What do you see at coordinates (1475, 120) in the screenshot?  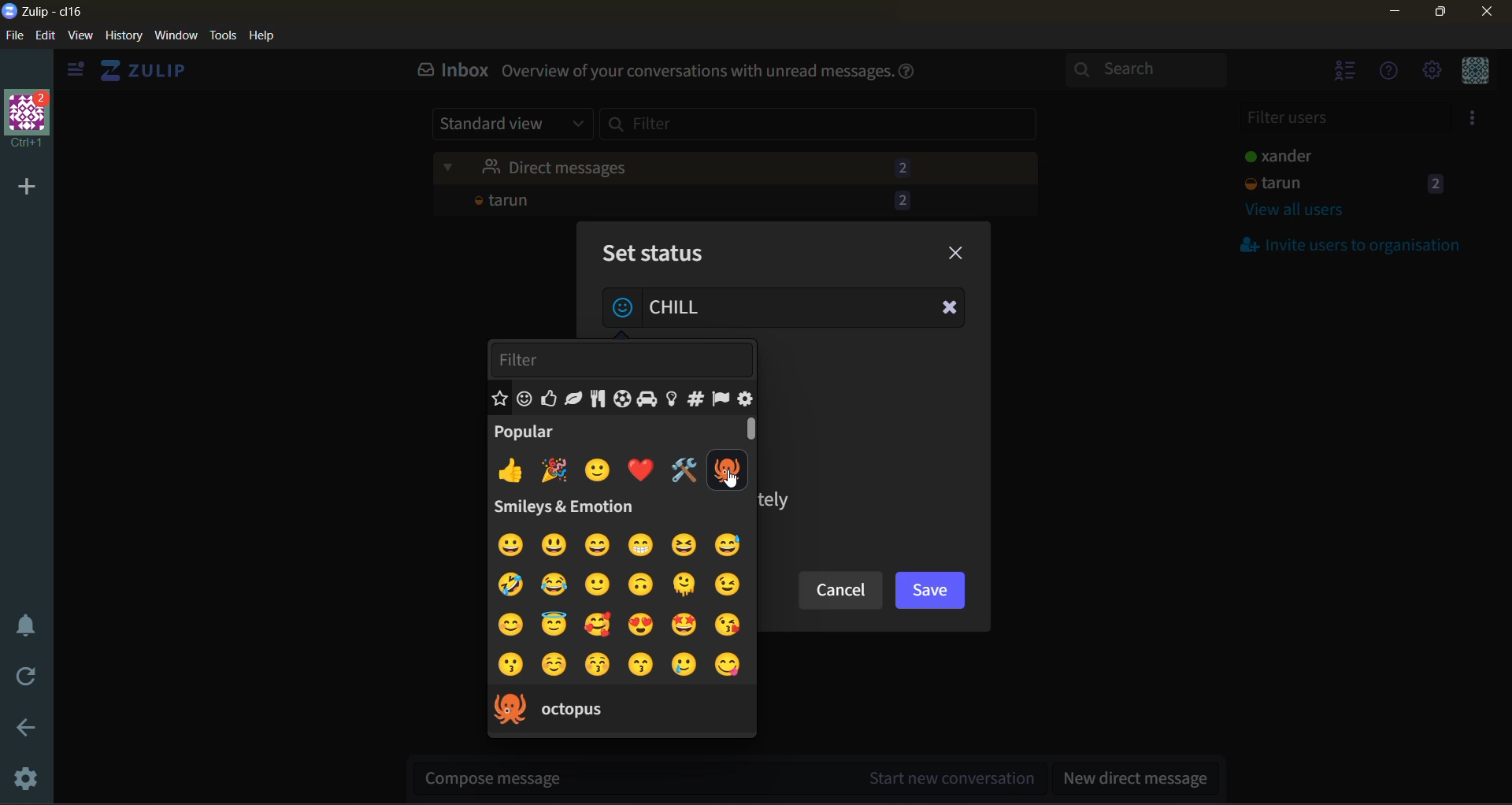 I see `invite users to organisation` at bounding box center [1475, 120].